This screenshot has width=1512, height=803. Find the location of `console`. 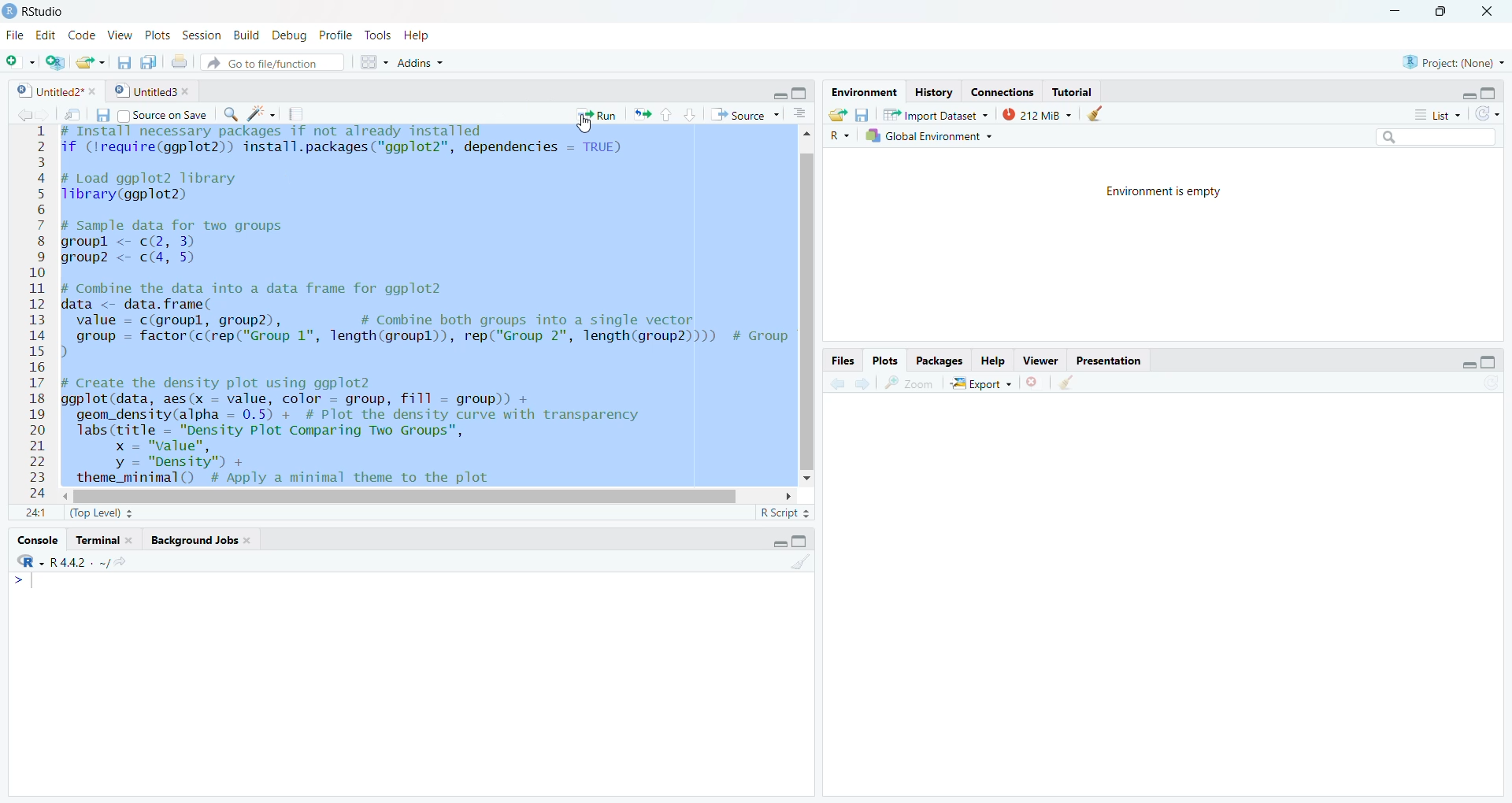

console is located at coordinates (33, 540).